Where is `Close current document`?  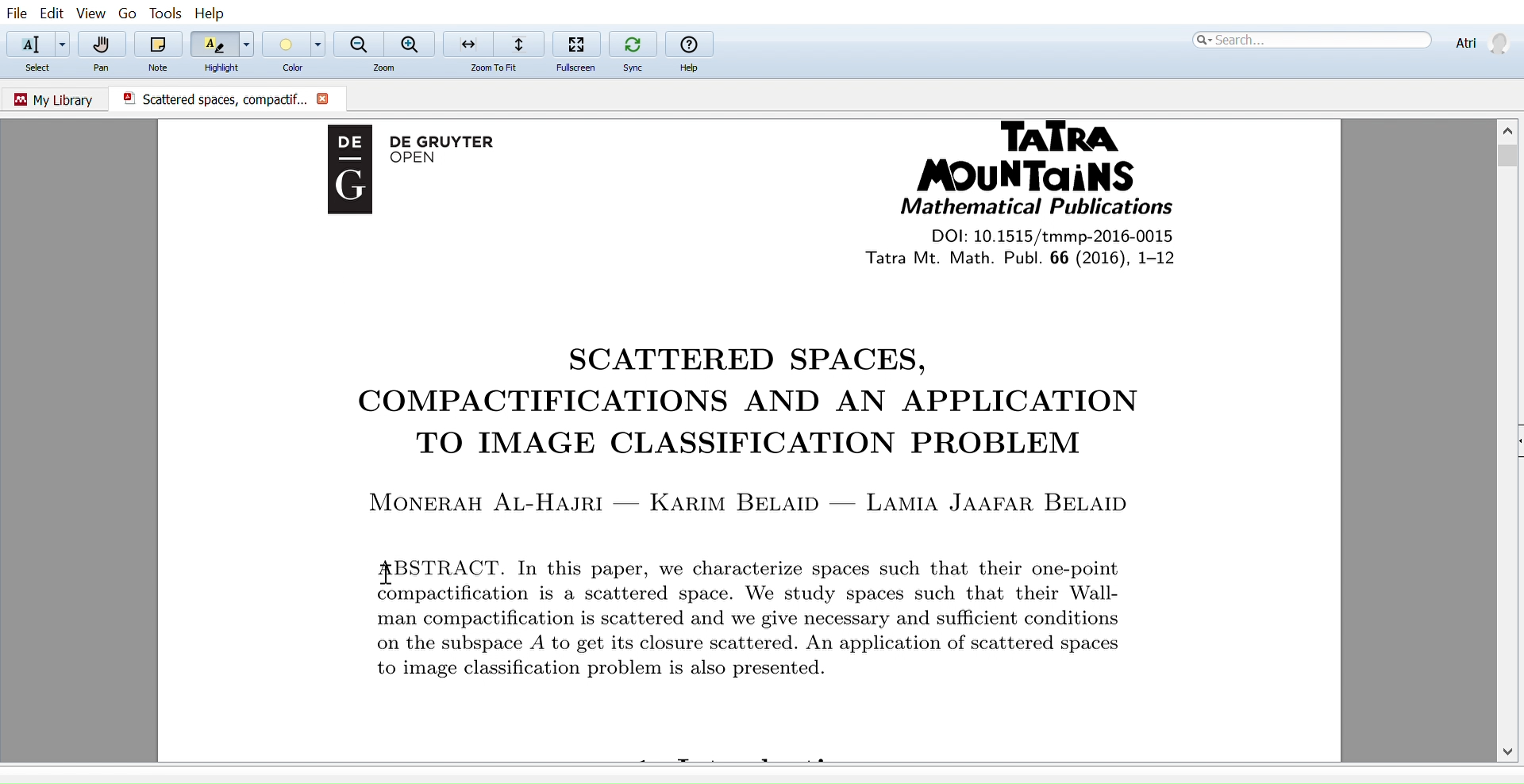 Close current document is located at coordinates (324, 100).